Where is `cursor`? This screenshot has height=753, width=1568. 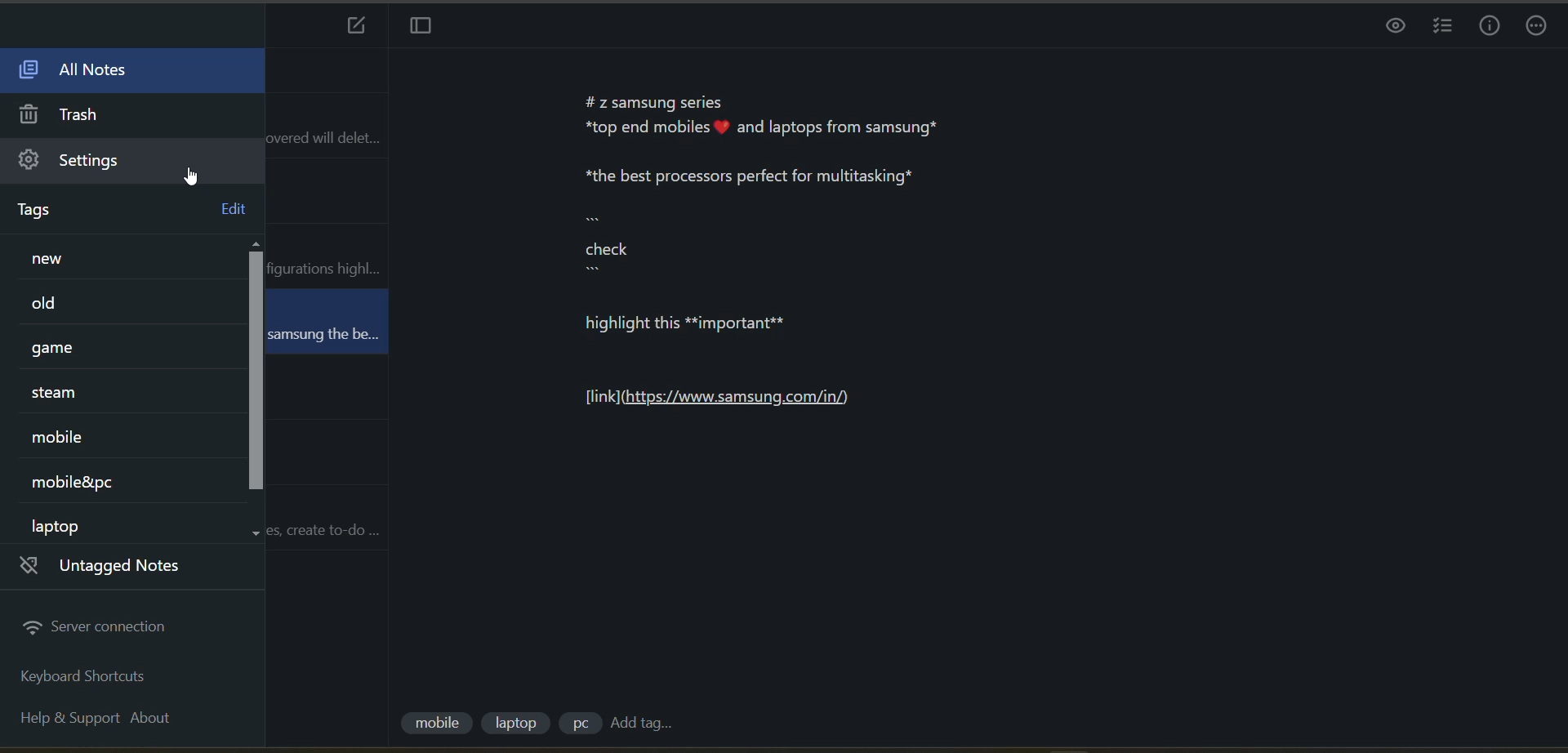 cursor is located at coordinates (194, 176).